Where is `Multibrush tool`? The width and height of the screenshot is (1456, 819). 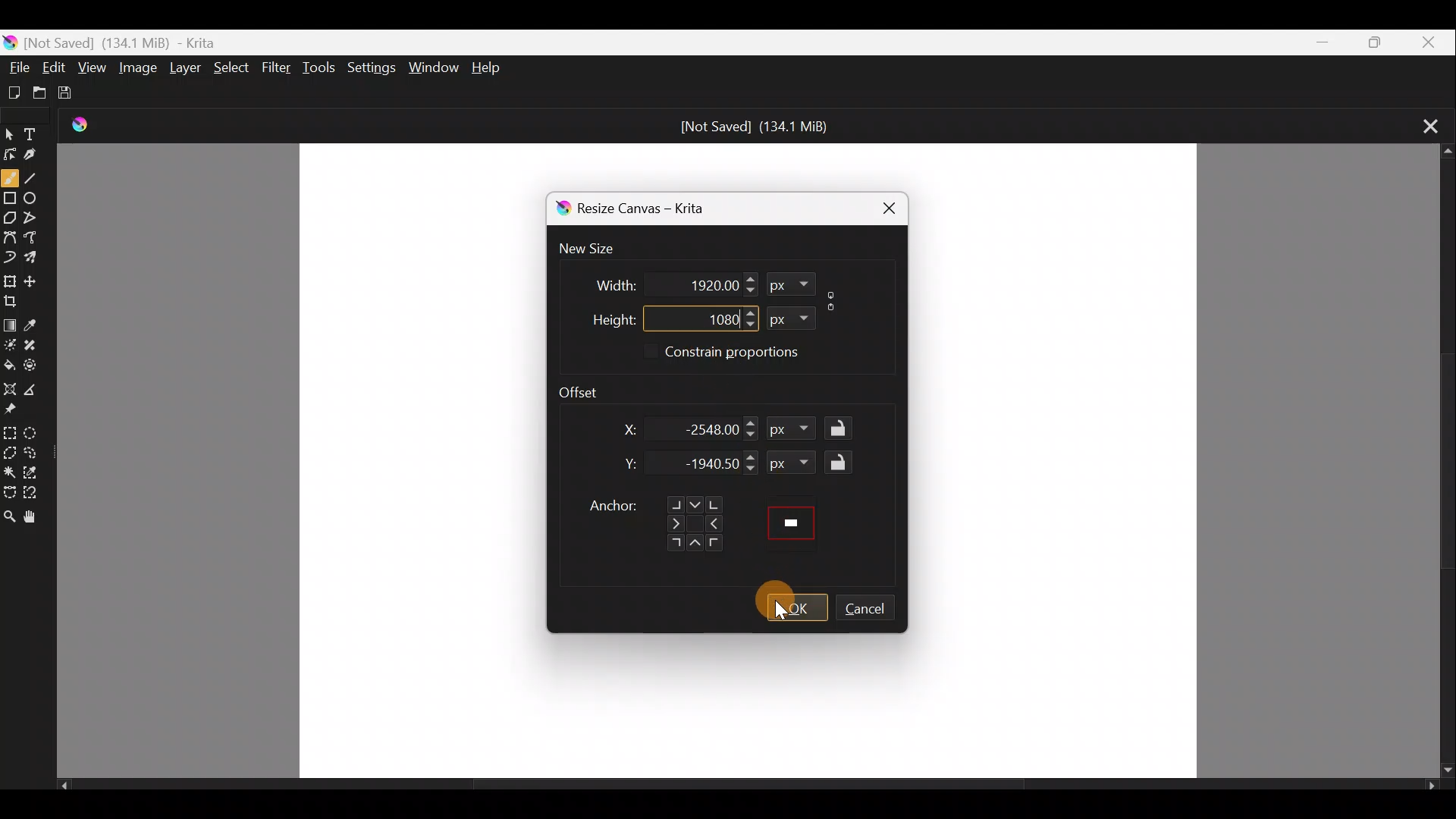 Multibrush tool is located at coordinates (38, 260).